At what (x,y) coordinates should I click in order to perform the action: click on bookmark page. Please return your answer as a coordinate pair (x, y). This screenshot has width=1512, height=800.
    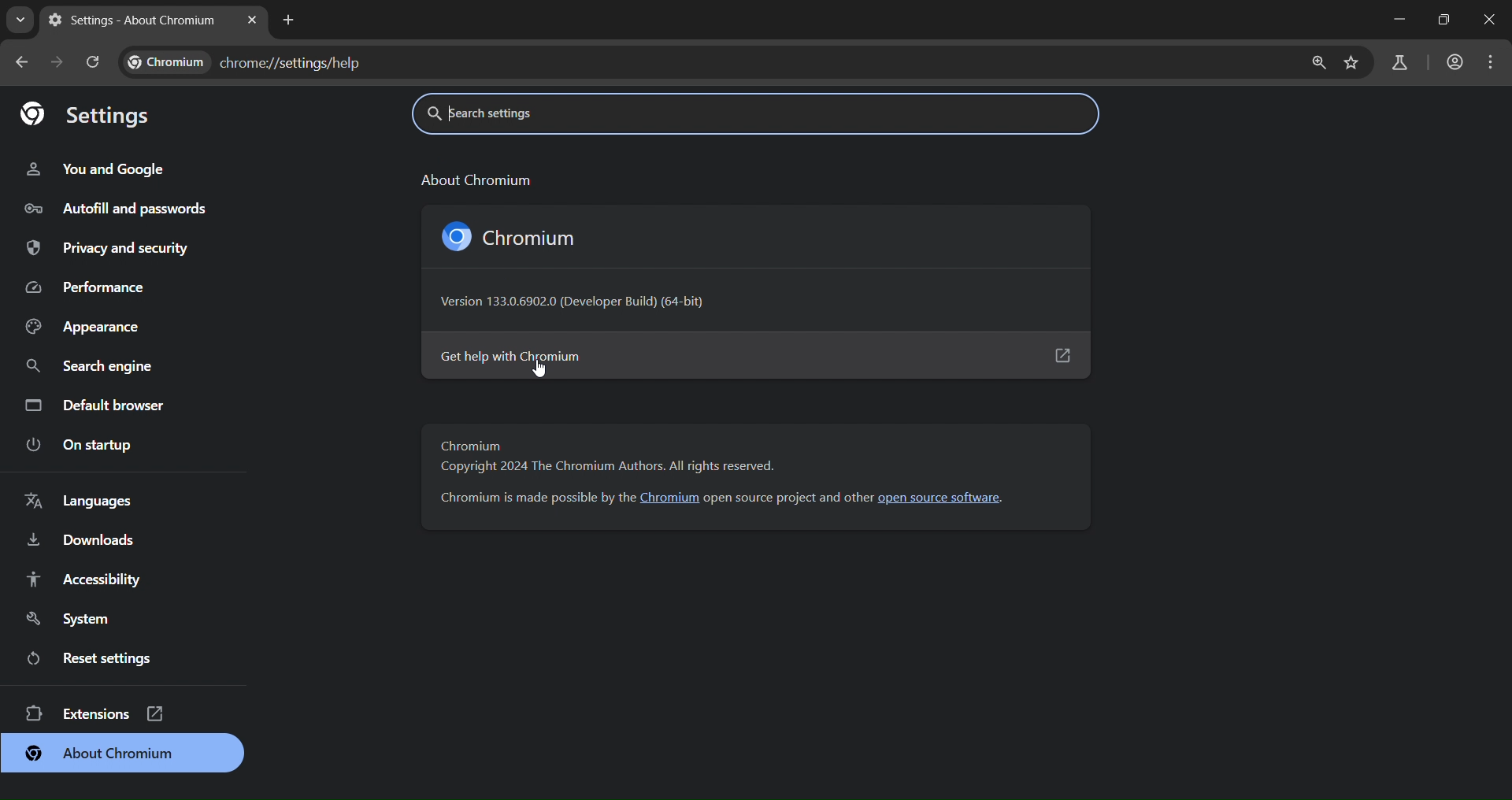
    Looking at the image, I should click on (1354, 61).